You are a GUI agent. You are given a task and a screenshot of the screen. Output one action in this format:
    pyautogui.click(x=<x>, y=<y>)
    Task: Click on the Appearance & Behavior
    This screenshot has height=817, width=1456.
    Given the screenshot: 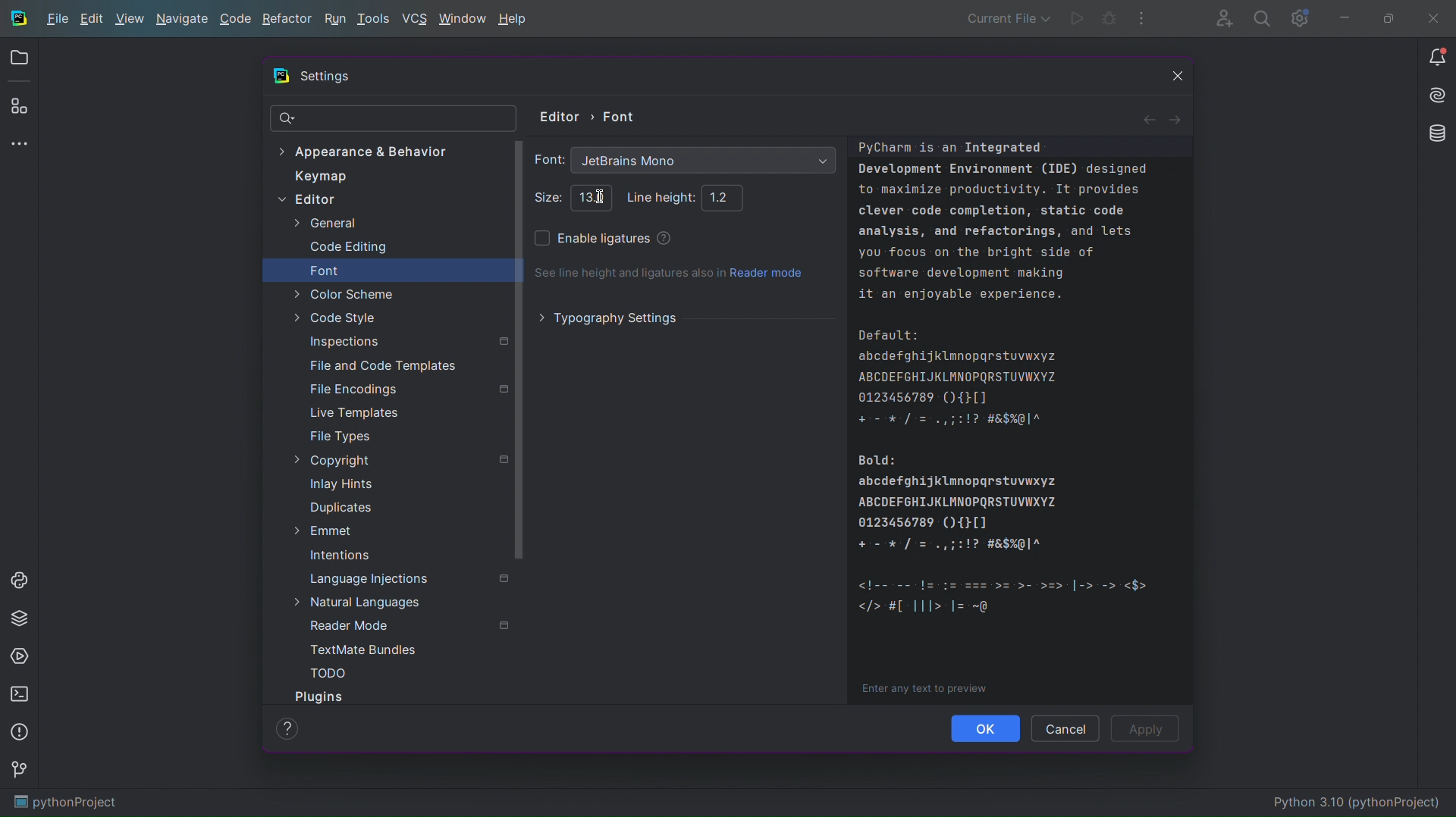 What is the action you would take?
    pyautogui.click(x=371, y=151)
    